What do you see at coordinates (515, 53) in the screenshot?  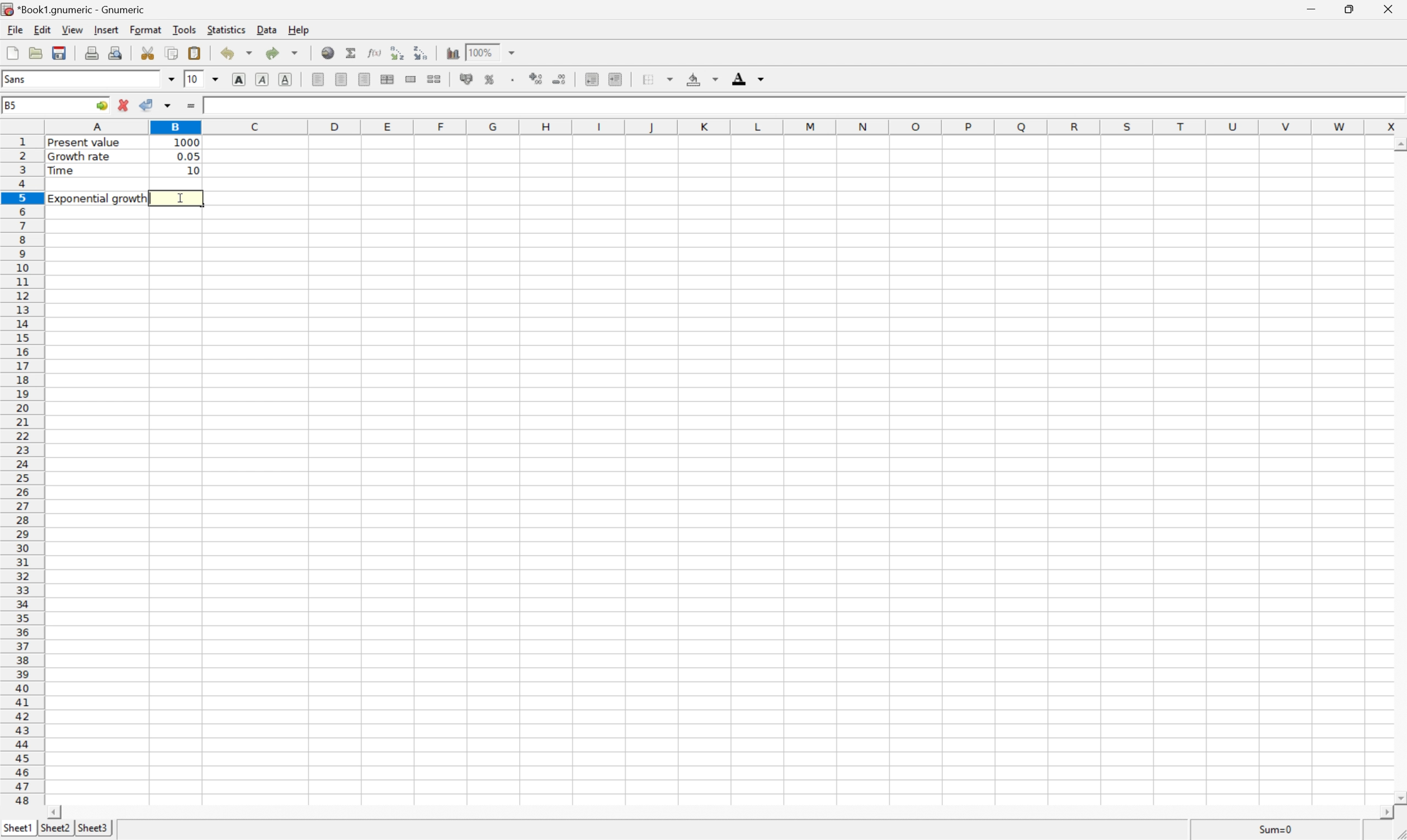 I see `Drop Down` at bounding box center [515, 53].